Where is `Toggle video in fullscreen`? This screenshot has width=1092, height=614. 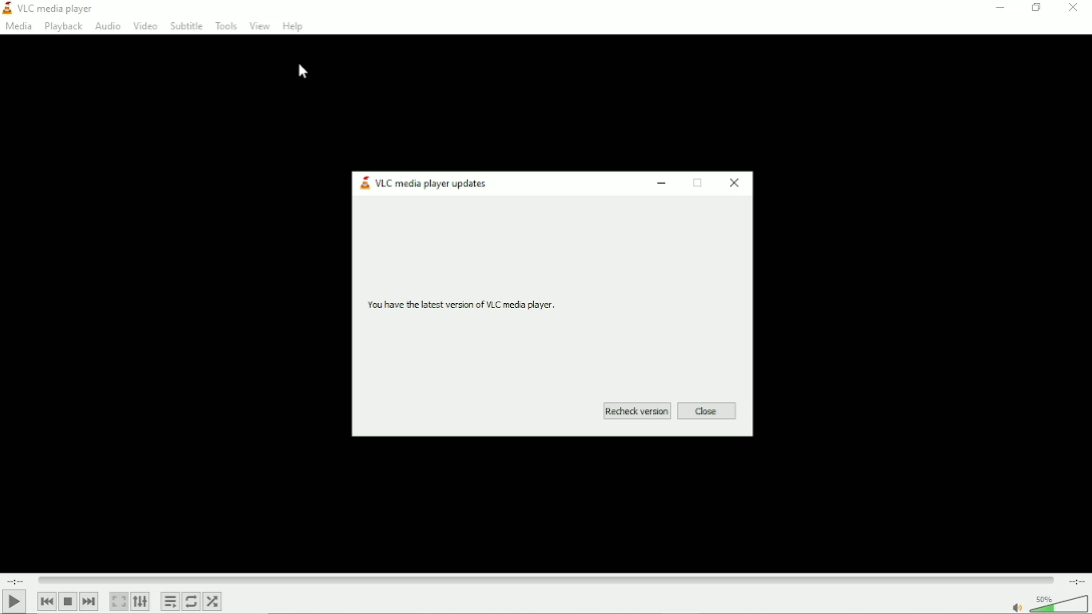 Toggle video in fullscreen is located at coordinates (119, 602).